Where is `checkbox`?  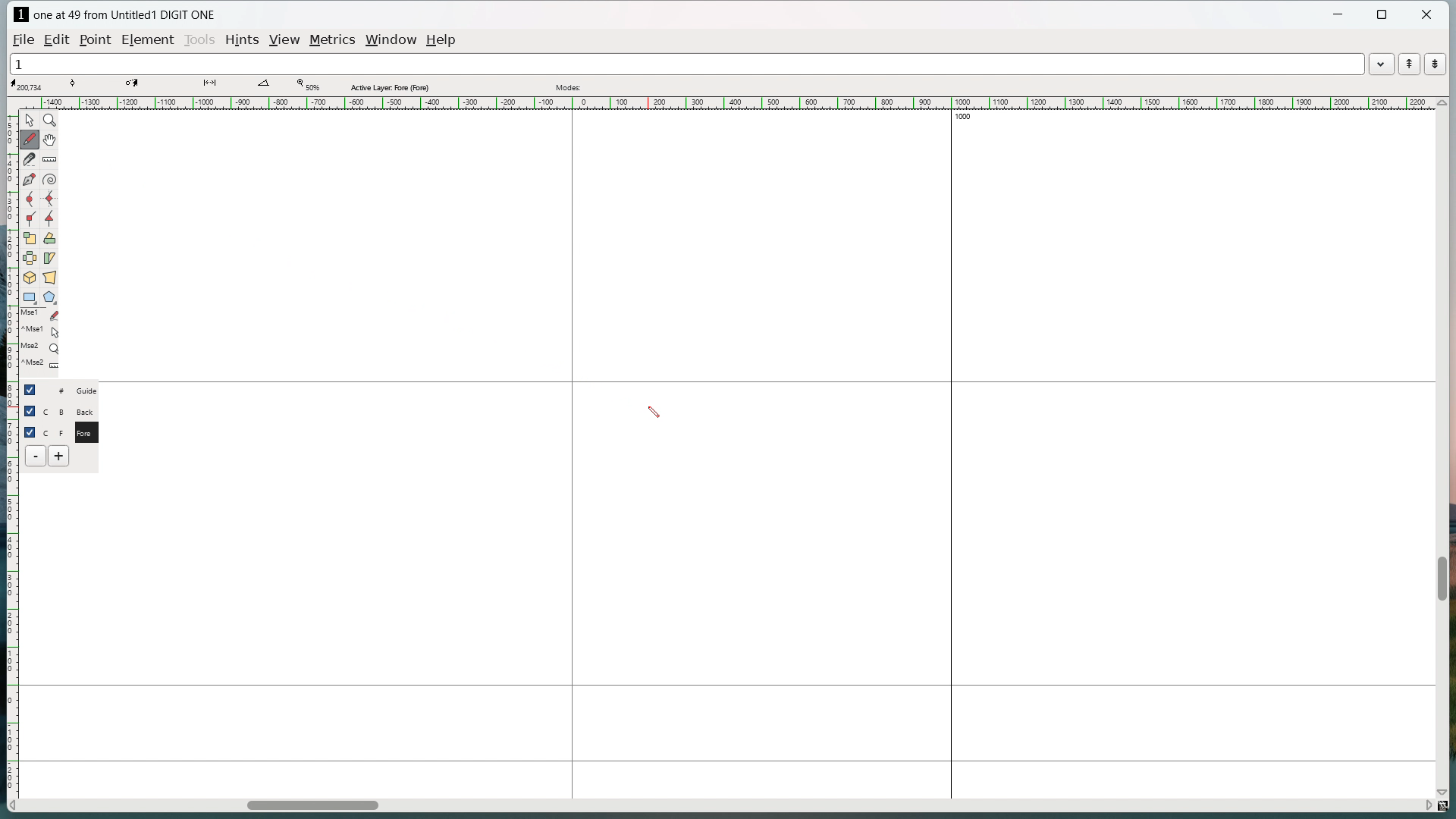 checkbox is located at coordinates (30, 411).